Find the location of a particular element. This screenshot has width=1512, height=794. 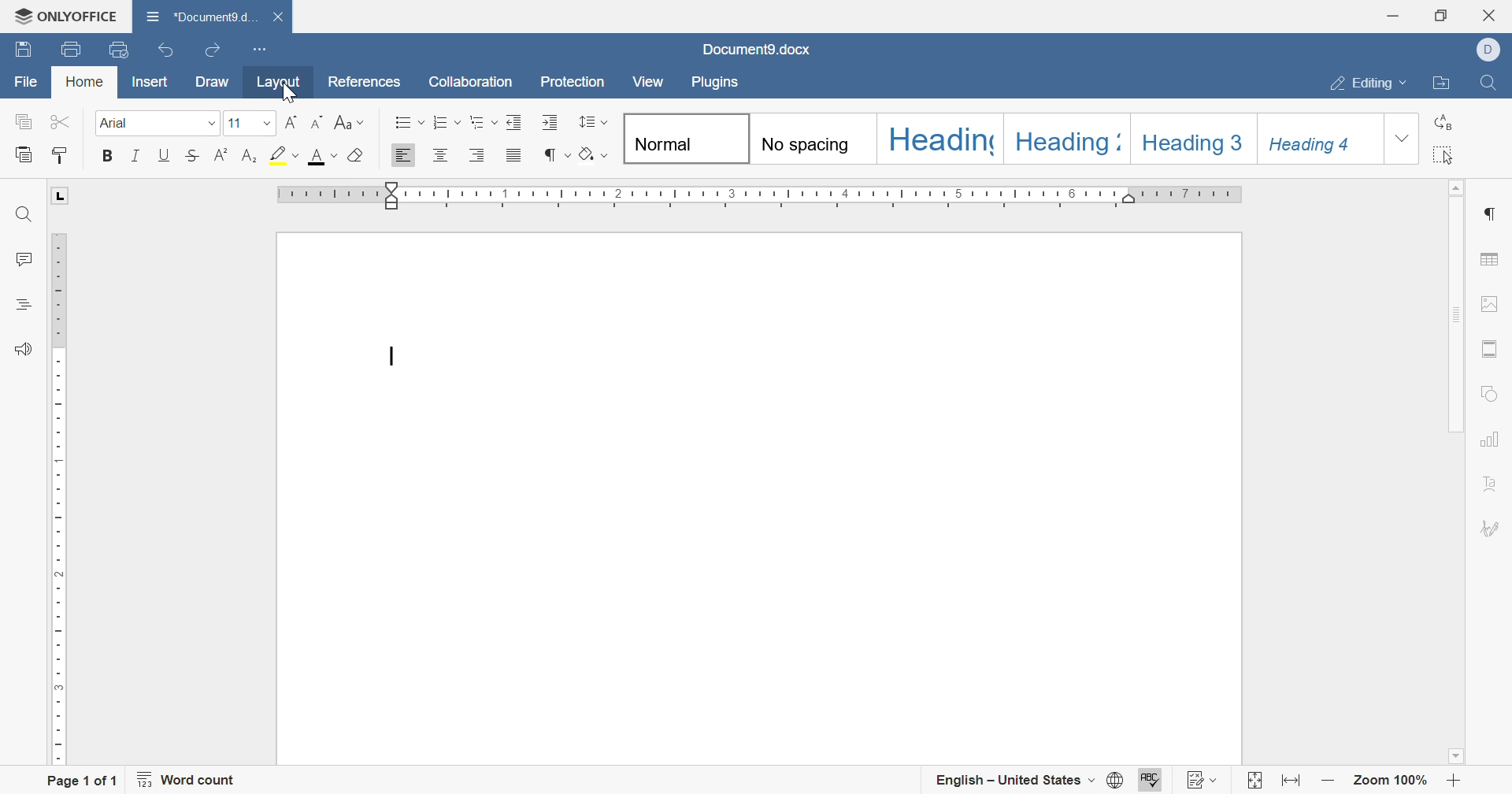

highlight color is located at coordinates (283, 154).